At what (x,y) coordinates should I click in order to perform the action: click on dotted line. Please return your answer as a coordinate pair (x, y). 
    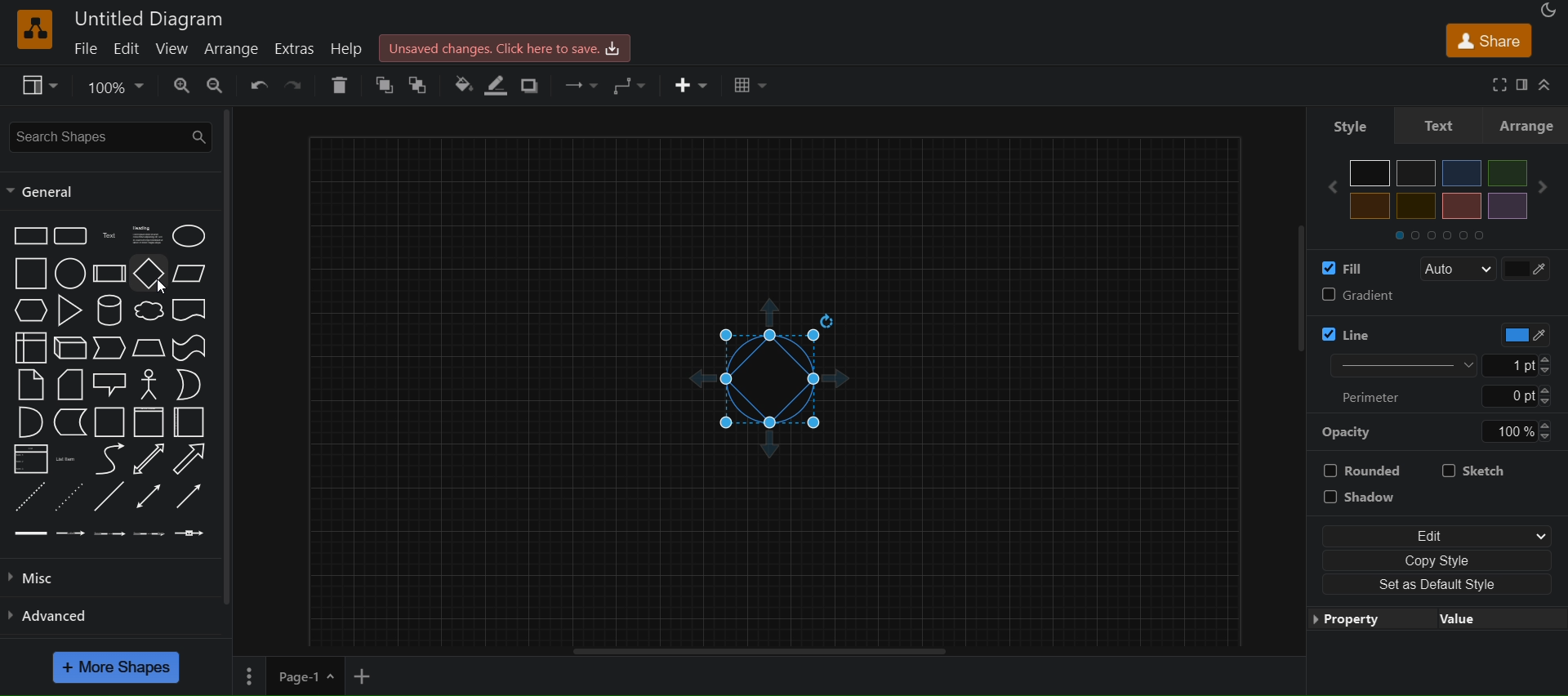
    Looking at the image, I should click on (69, 496).